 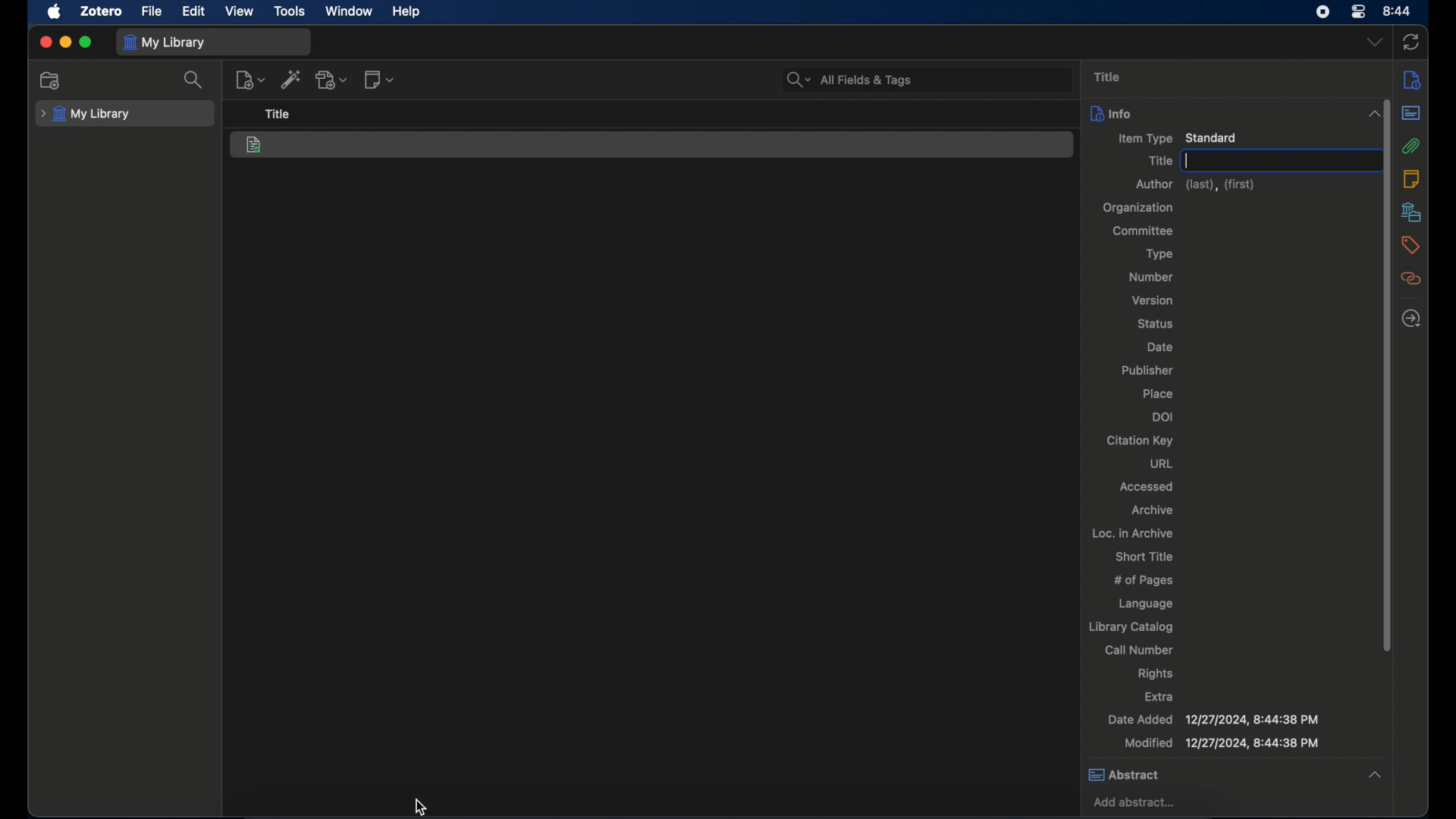 What do you see at coordinates (1323, 12) in the screenshot?
I see `screen recorder` at bounding box center [1323, 12].